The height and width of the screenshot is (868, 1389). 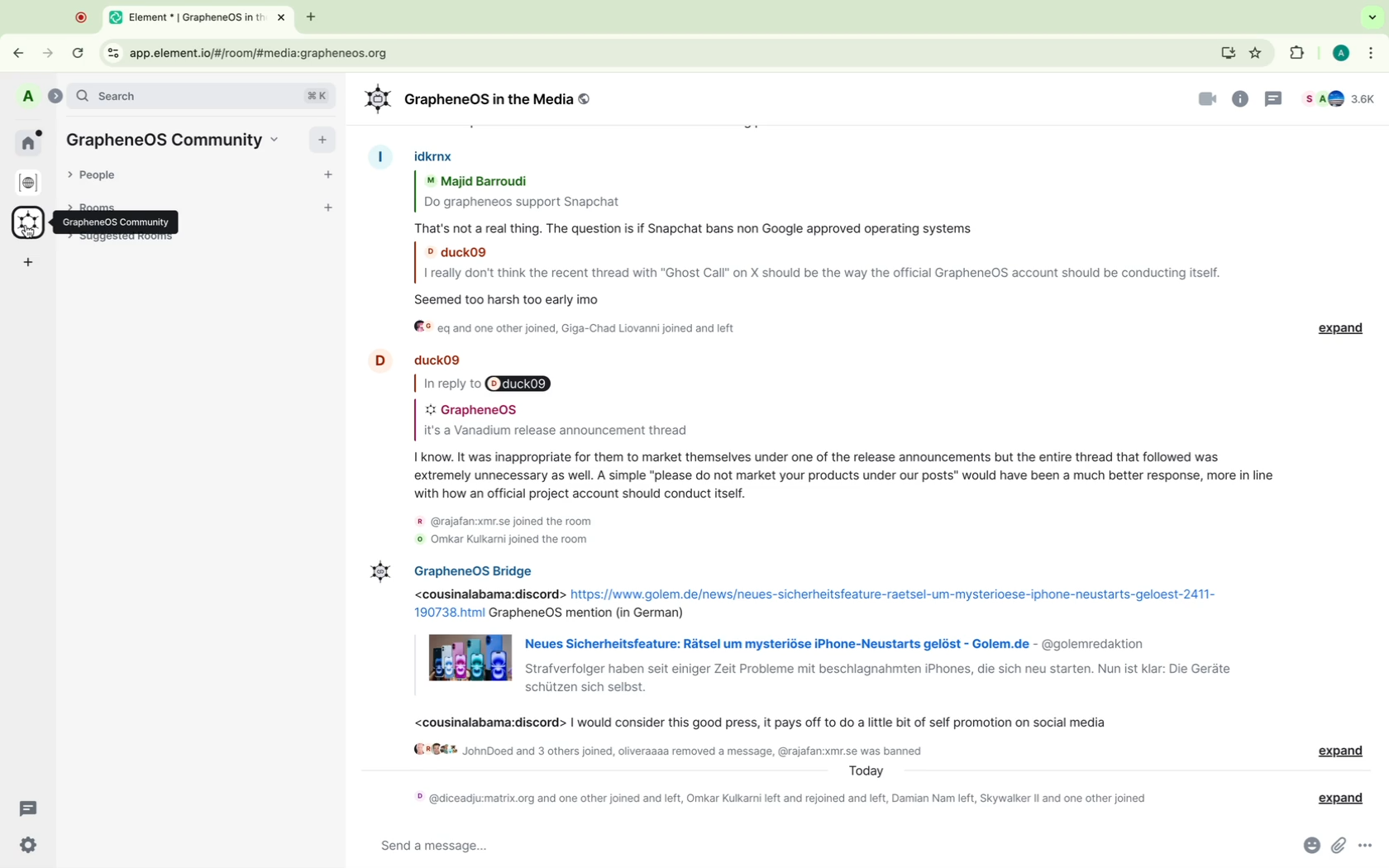 I want to click on recording, so click(x=82, y=18).